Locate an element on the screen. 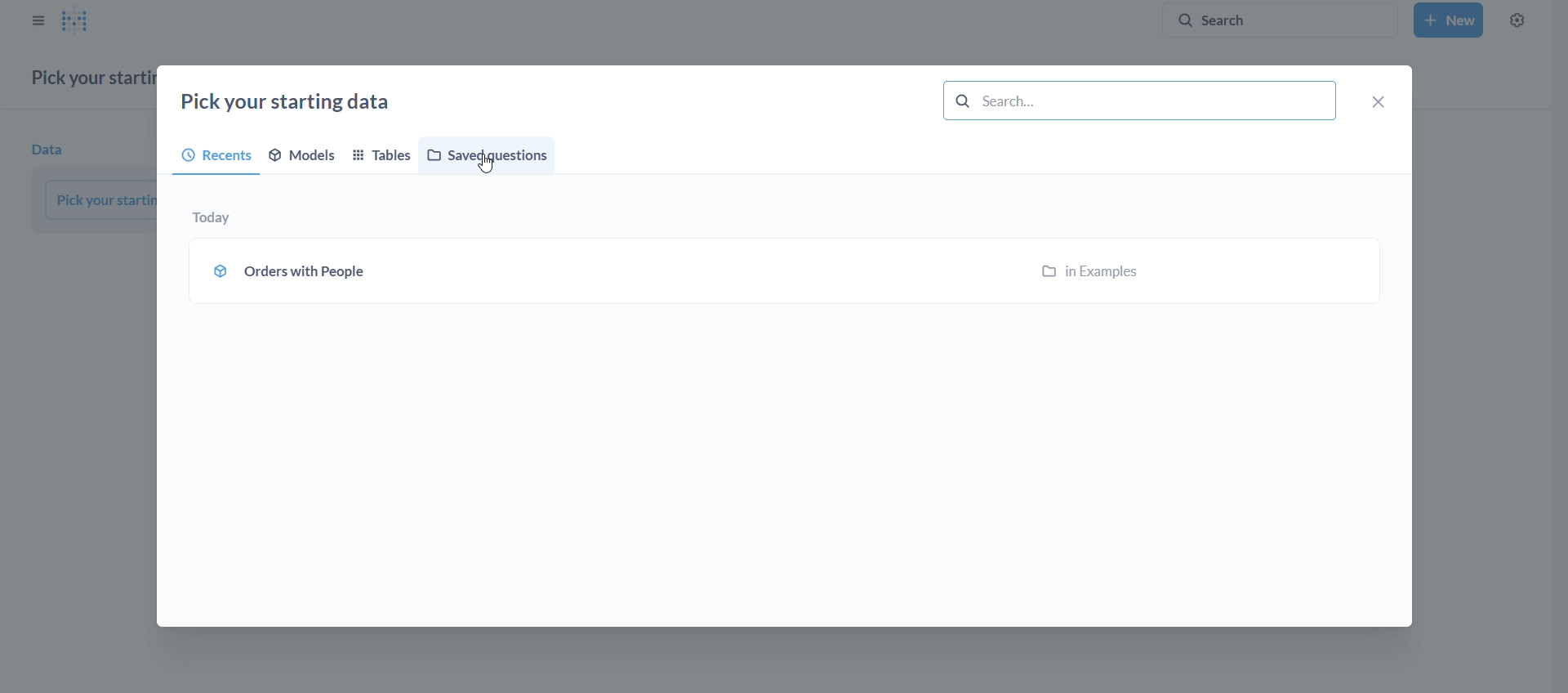  Pick your startir is located at coordinates (91, 78).